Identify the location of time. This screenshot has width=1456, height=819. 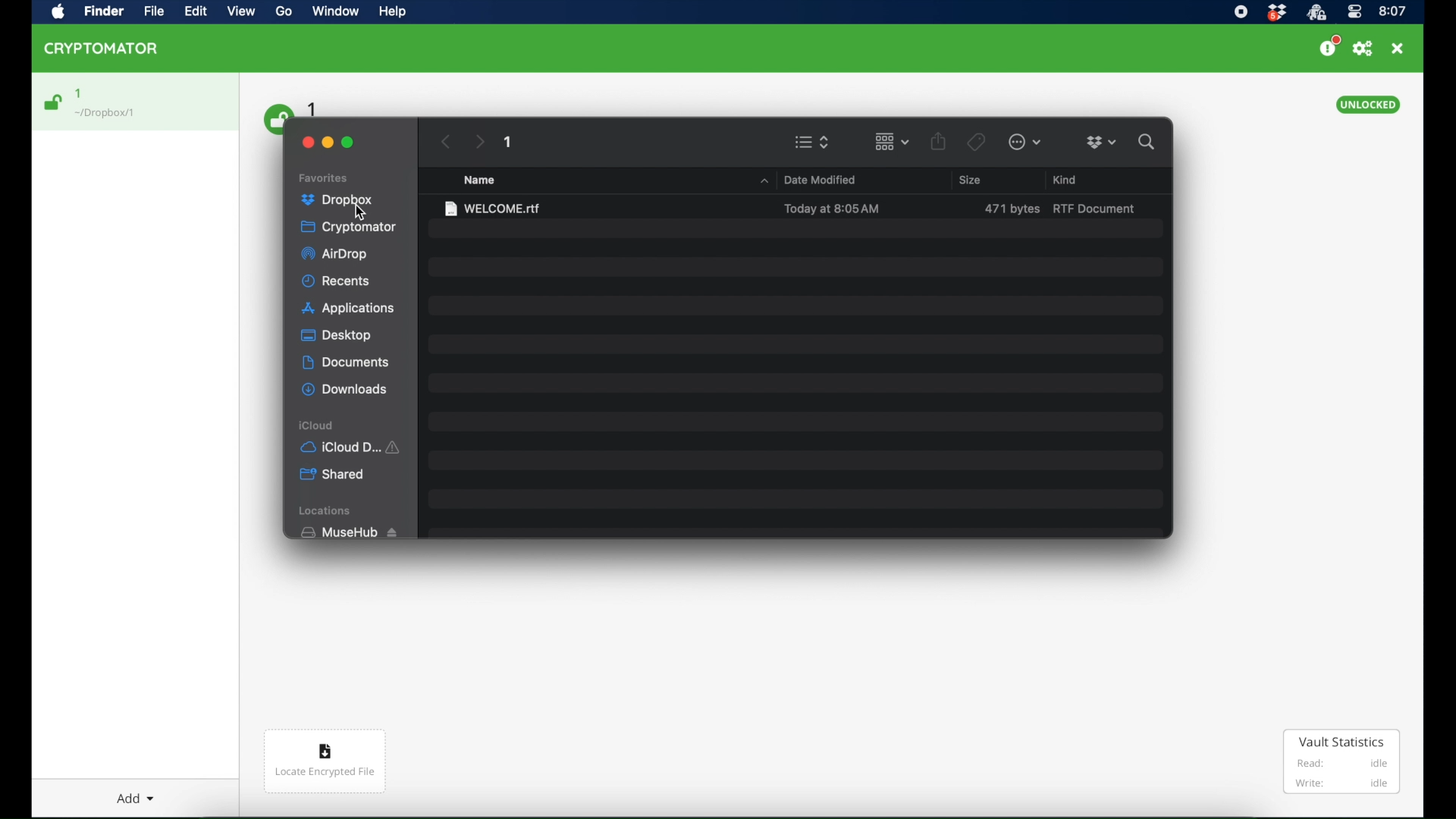
(1393, 11).